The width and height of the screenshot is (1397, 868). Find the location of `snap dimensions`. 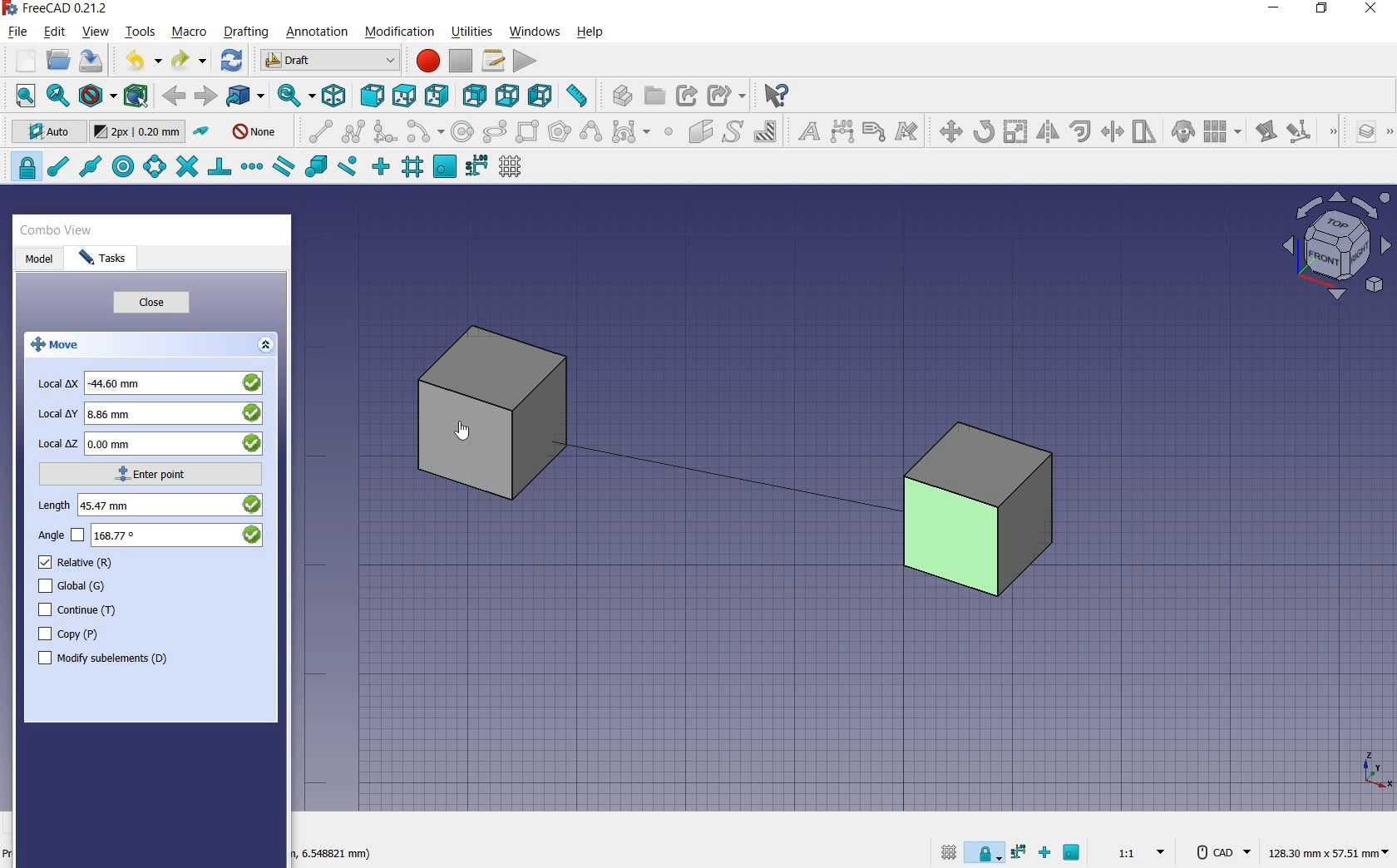

snap dimensions is located at coordinates (1019, 851).